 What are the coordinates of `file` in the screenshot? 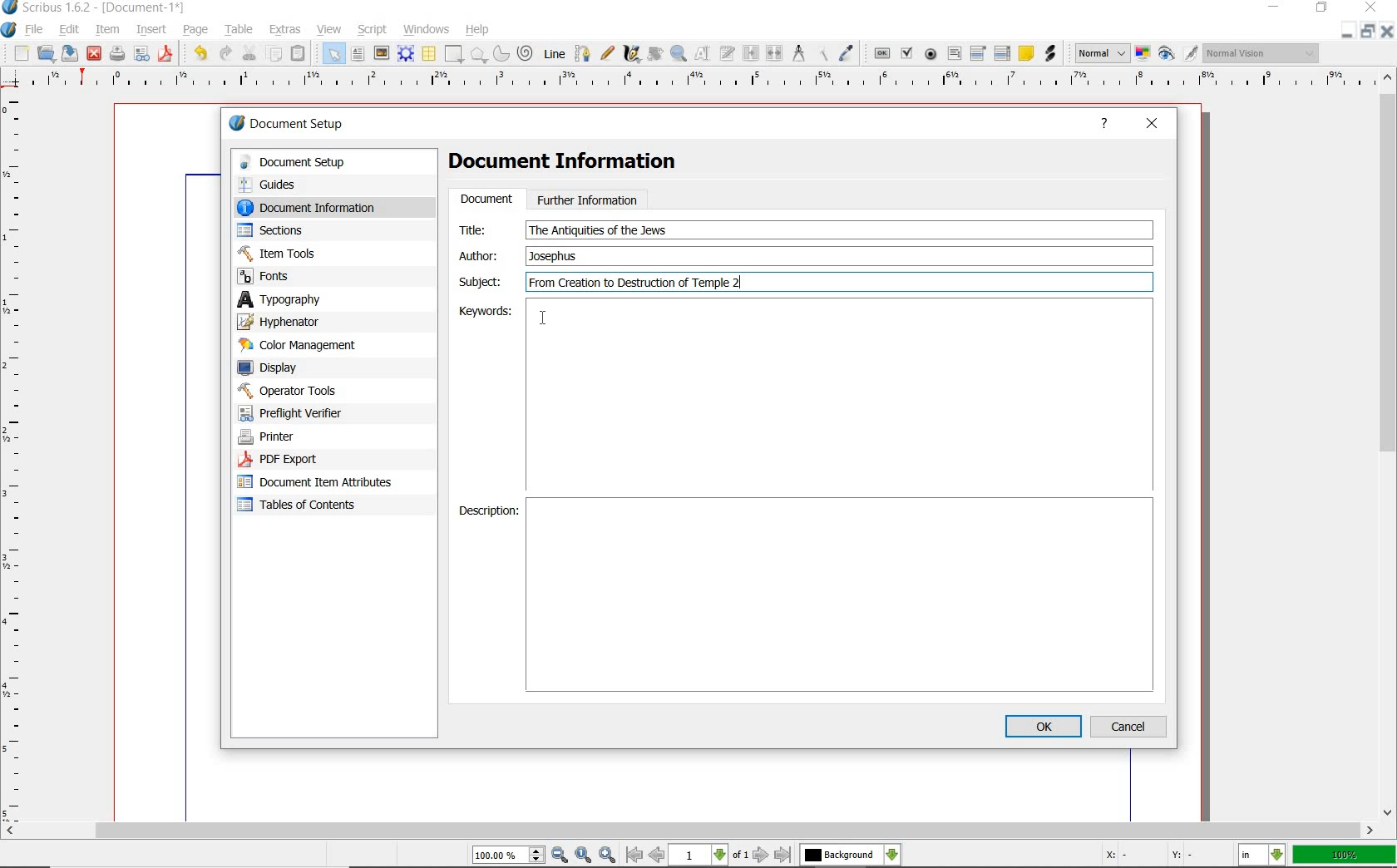 It's located at (35, 28).